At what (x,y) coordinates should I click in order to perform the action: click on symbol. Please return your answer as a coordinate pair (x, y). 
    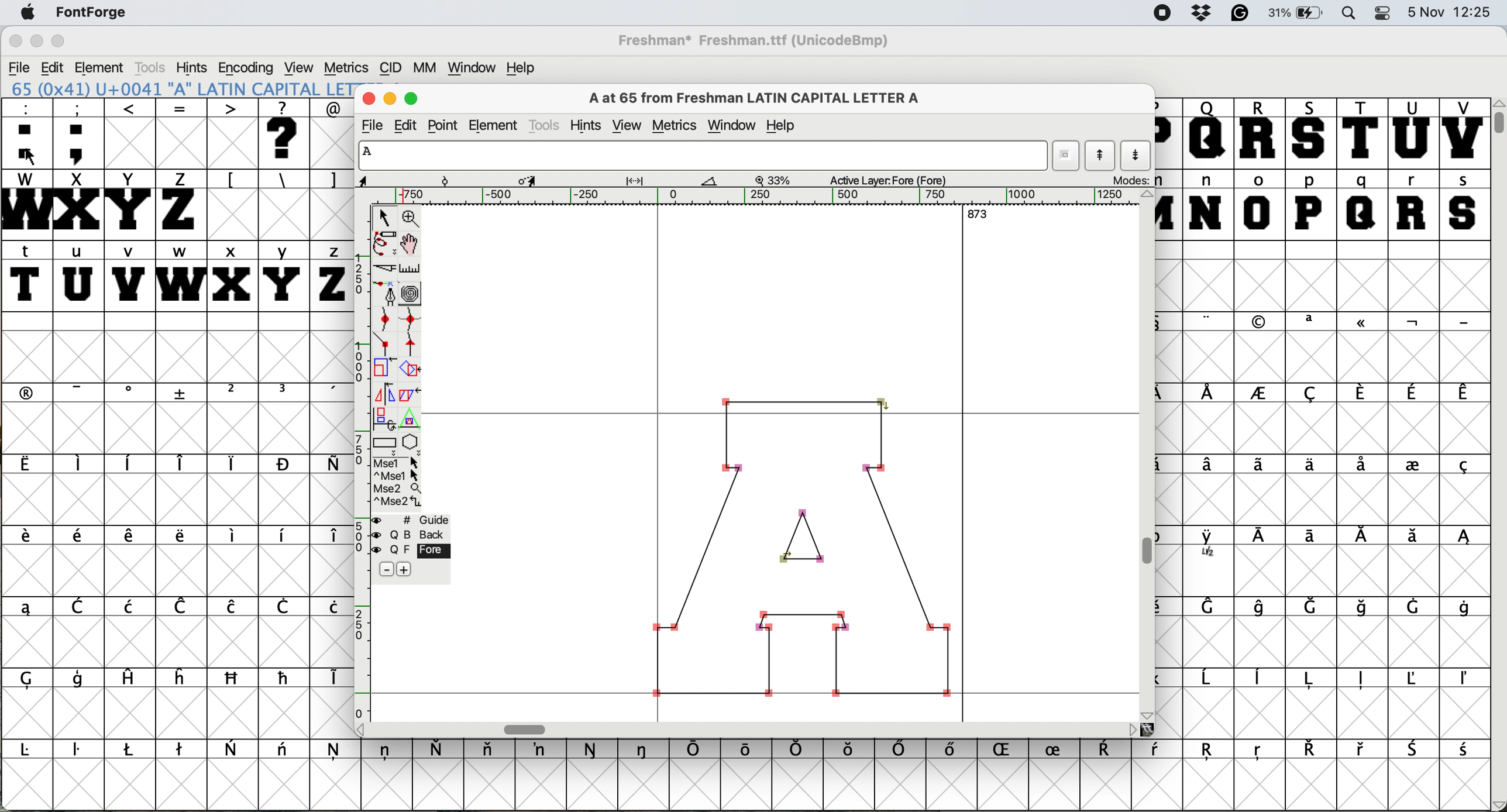
    Looking at the image, I should click on (1261, 679).